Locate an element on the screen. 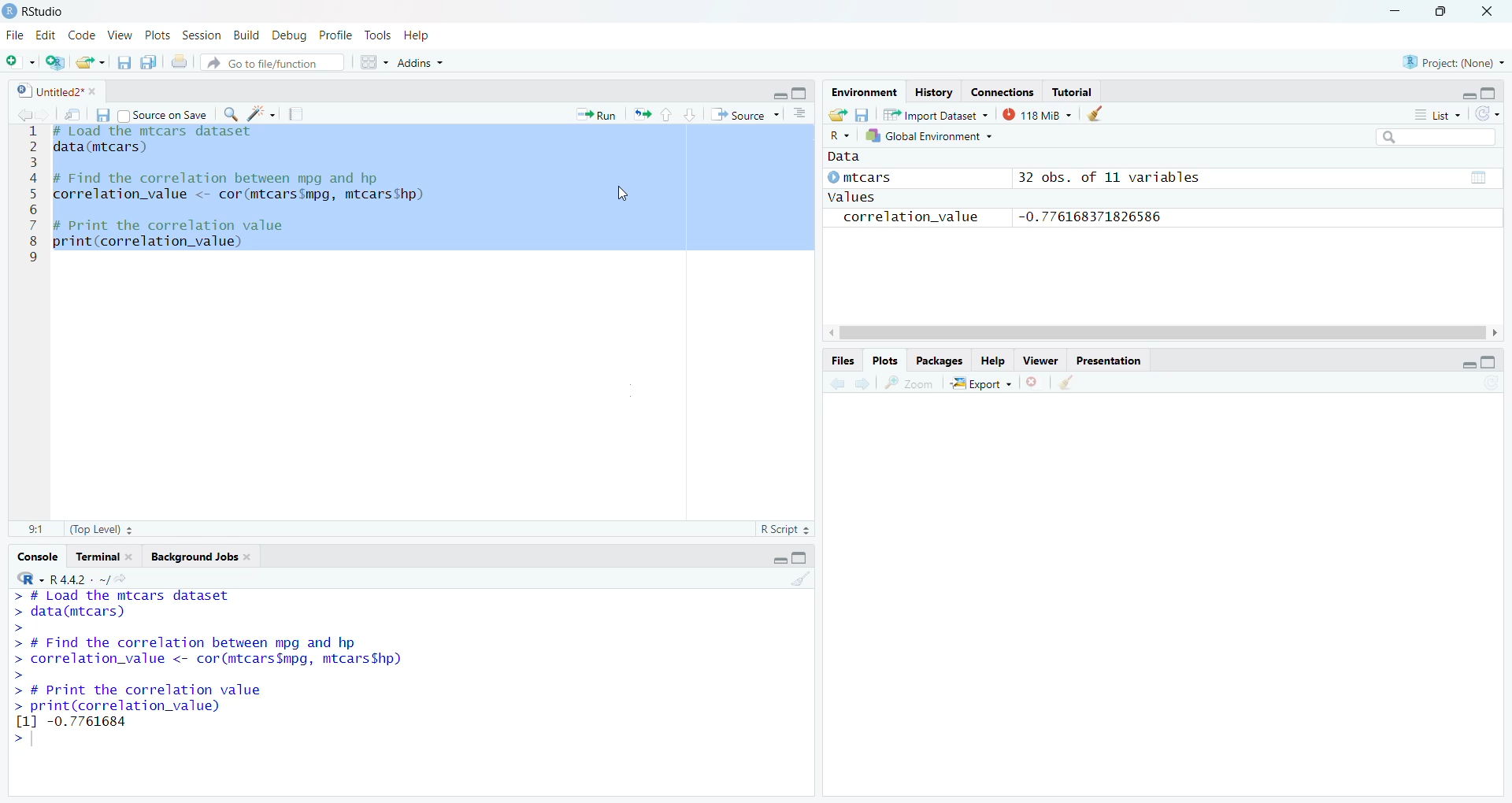 The image size is (1512, 803). Plots is located at coordinates (885, 360).